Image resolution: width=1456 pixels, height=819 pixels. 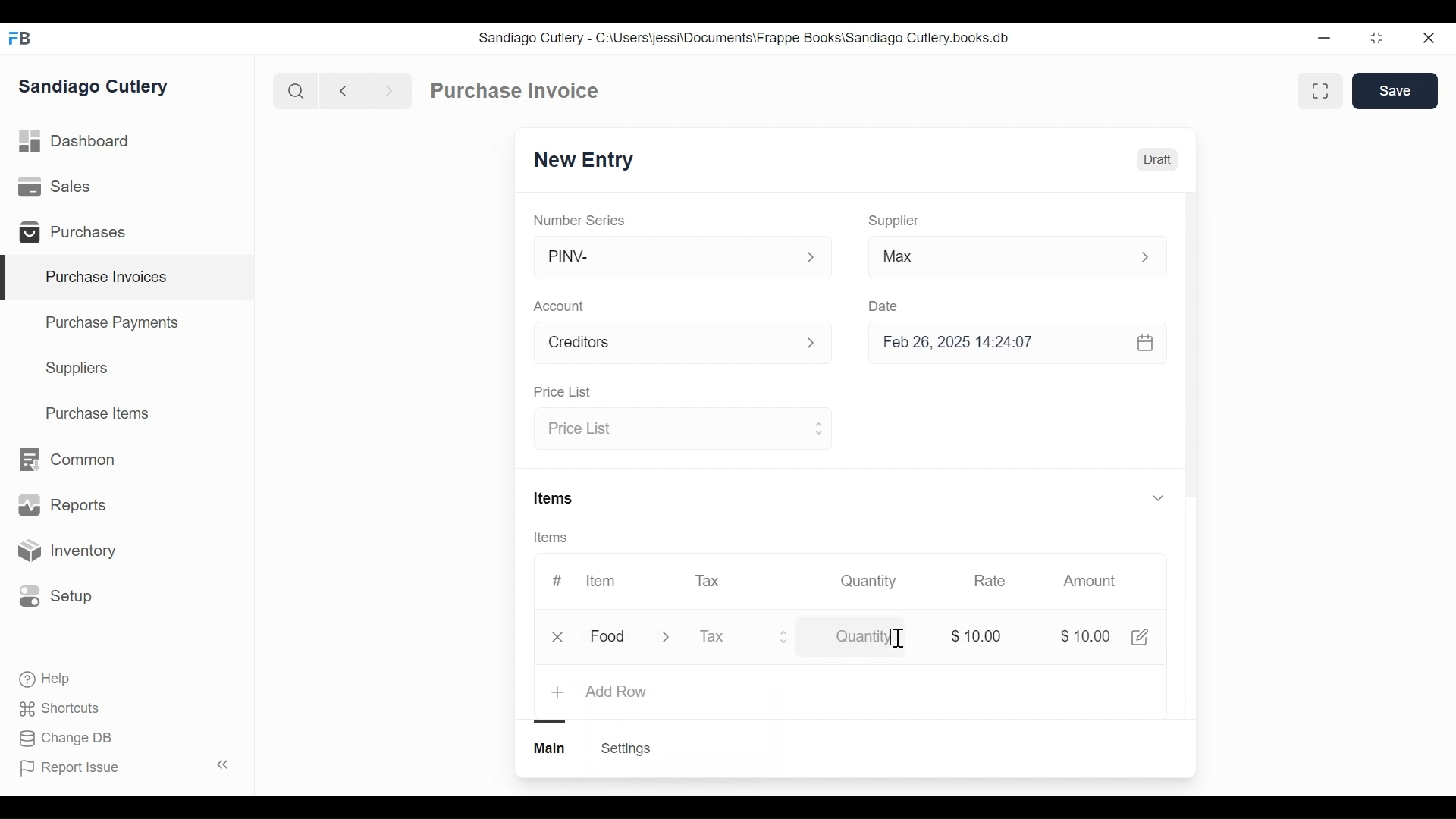 What do you see at coordinates (1153, 257) in the screenshot?
I see `Expand` at bounding box center [1153, 257].